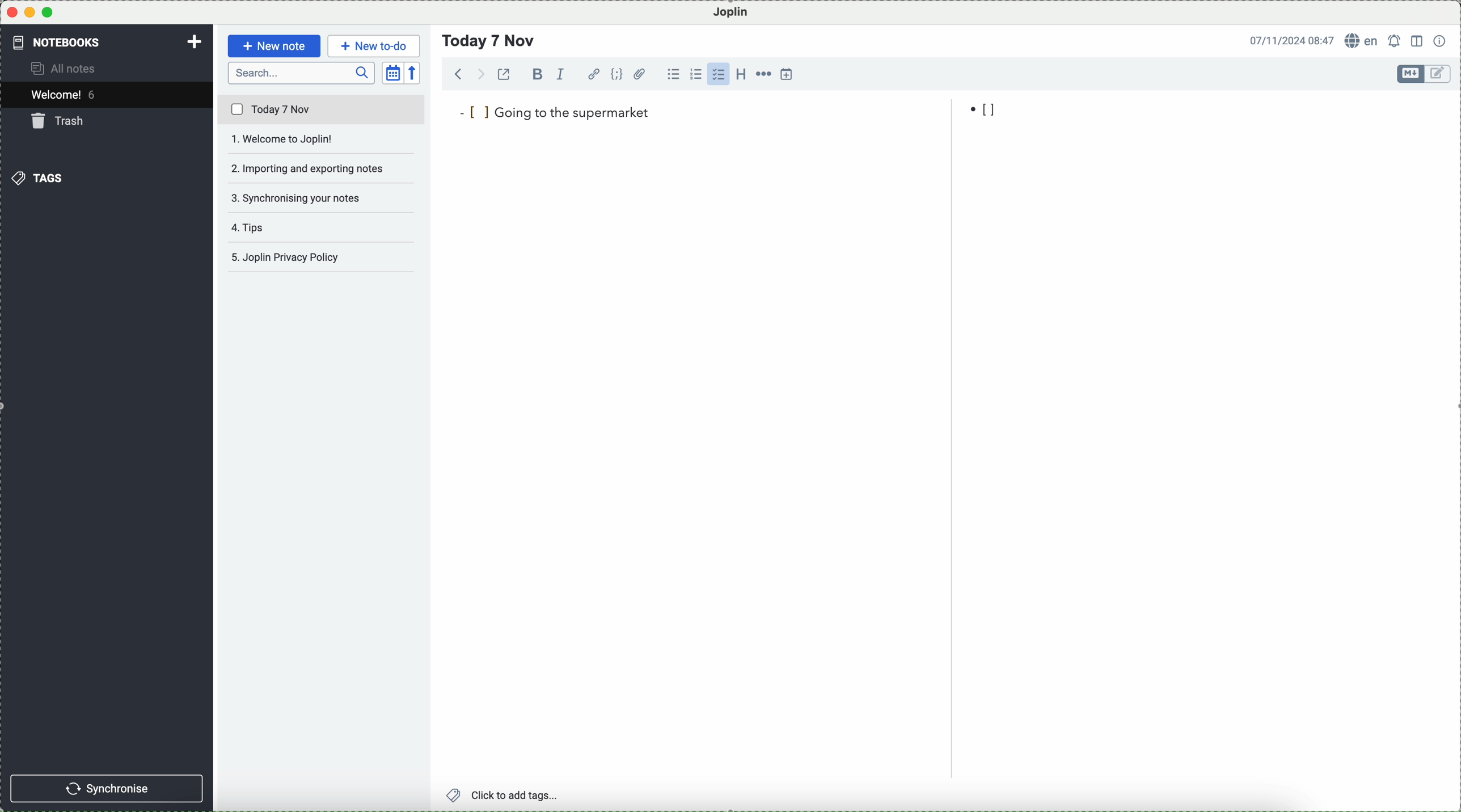 The image size is (1461, 812). Describe the element at coordinates (12, 12) in the screenshot. I see `close` at that location.